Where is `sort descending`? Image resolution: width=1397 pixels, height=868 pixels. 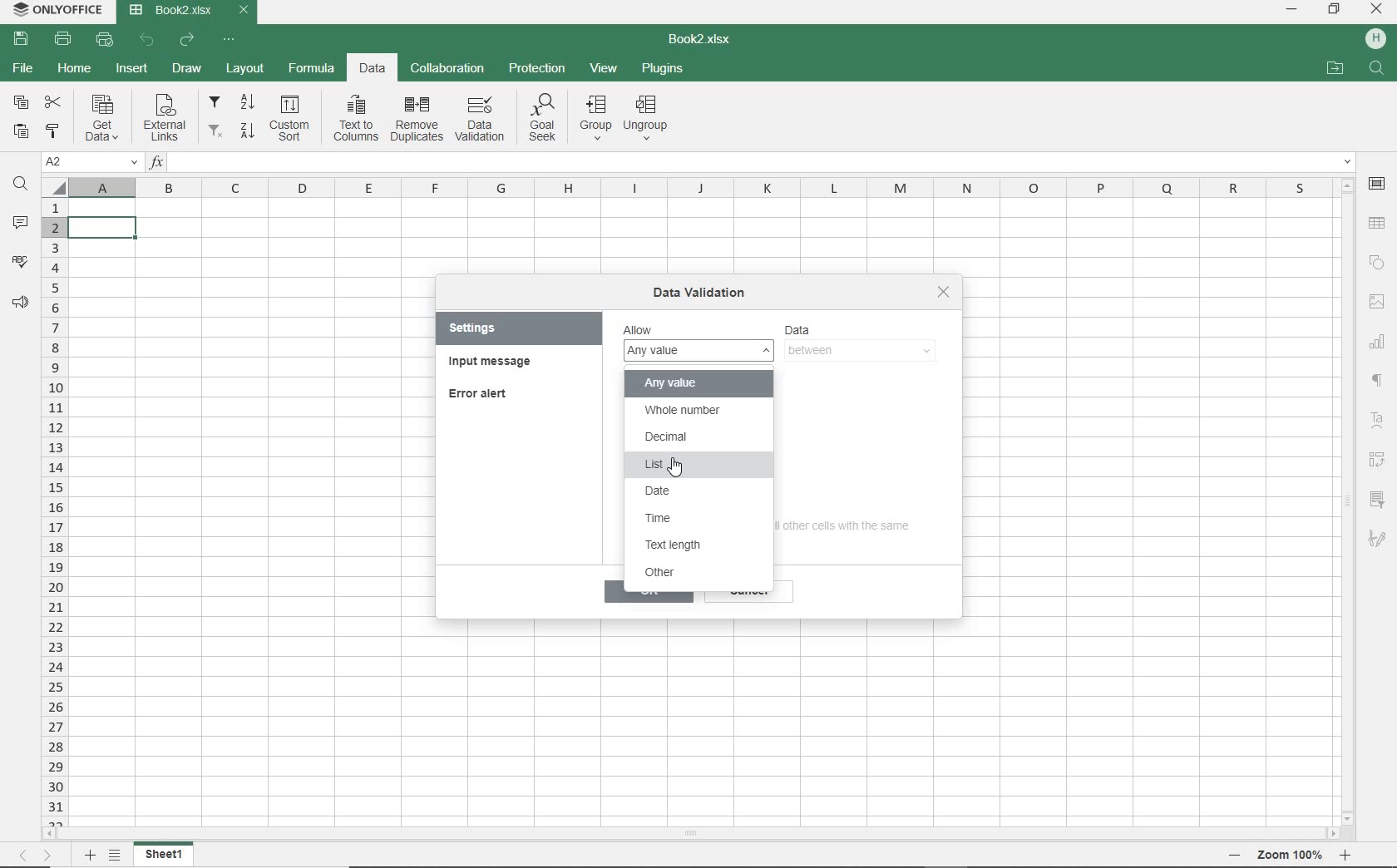
sort descending is located at coordinates (248, 133).